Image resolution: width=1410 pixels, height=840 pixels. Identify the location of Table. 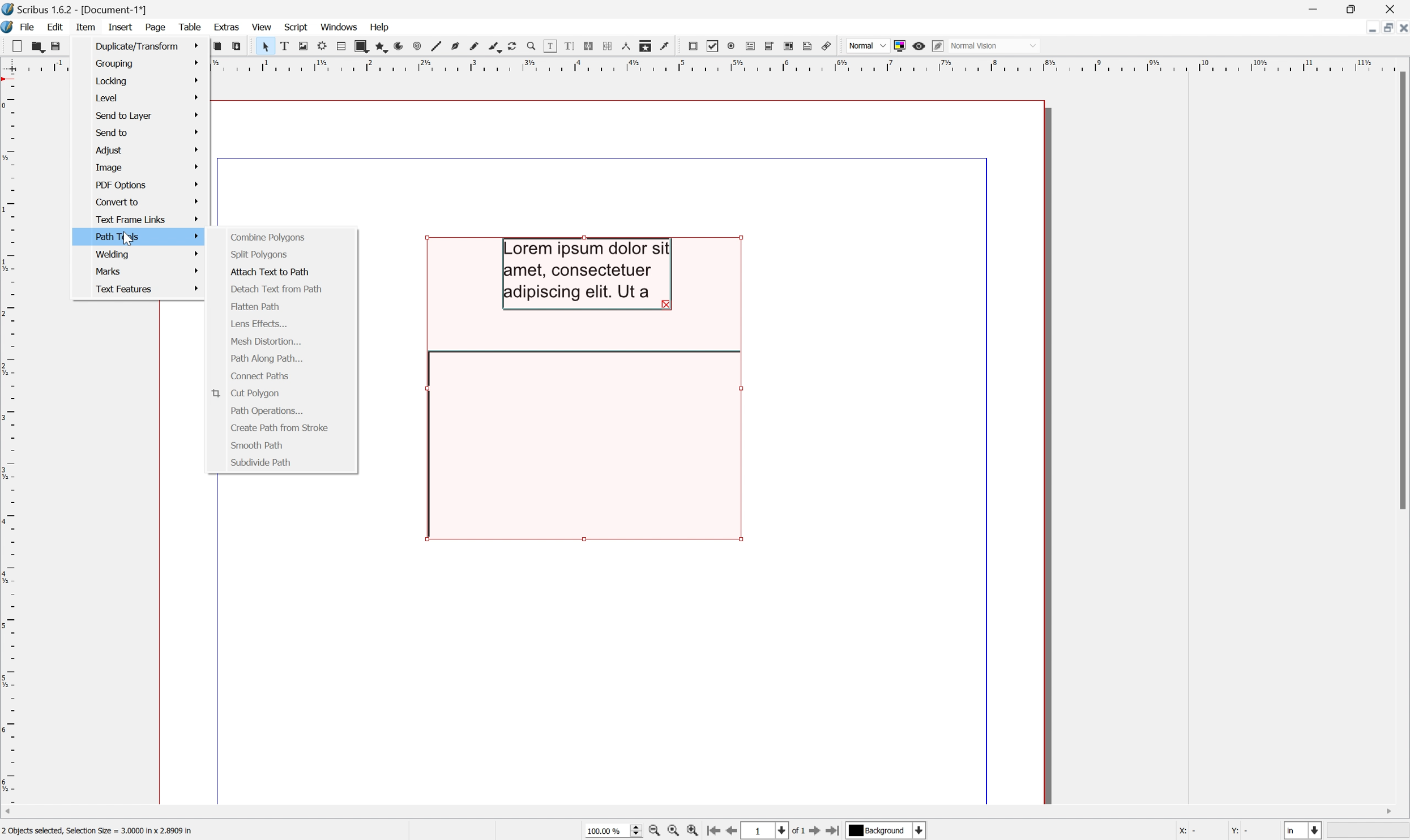
(191, 28).